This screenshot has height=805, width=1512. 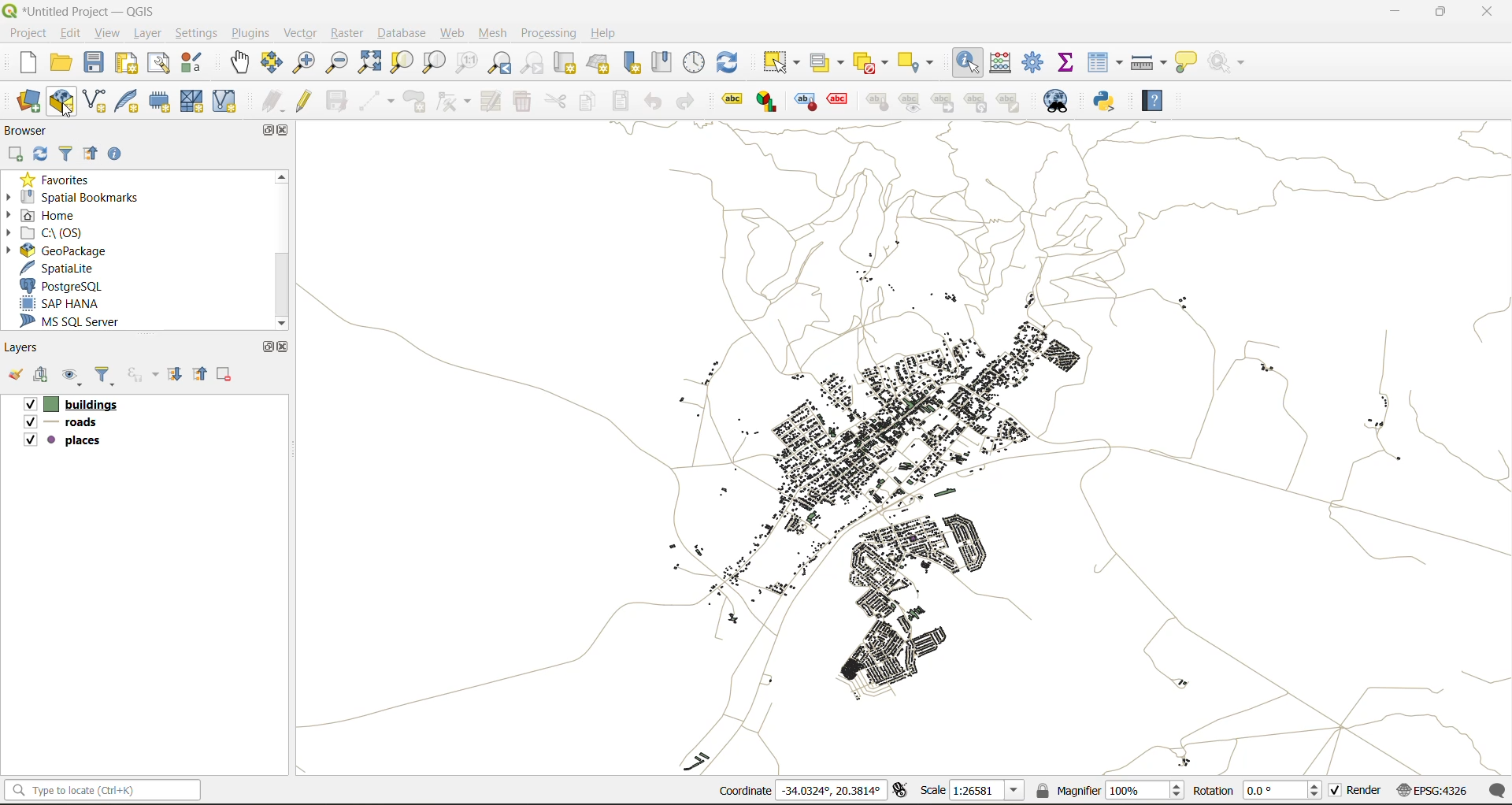 I want to click on new virtual layer, so click(x=224, y=102).